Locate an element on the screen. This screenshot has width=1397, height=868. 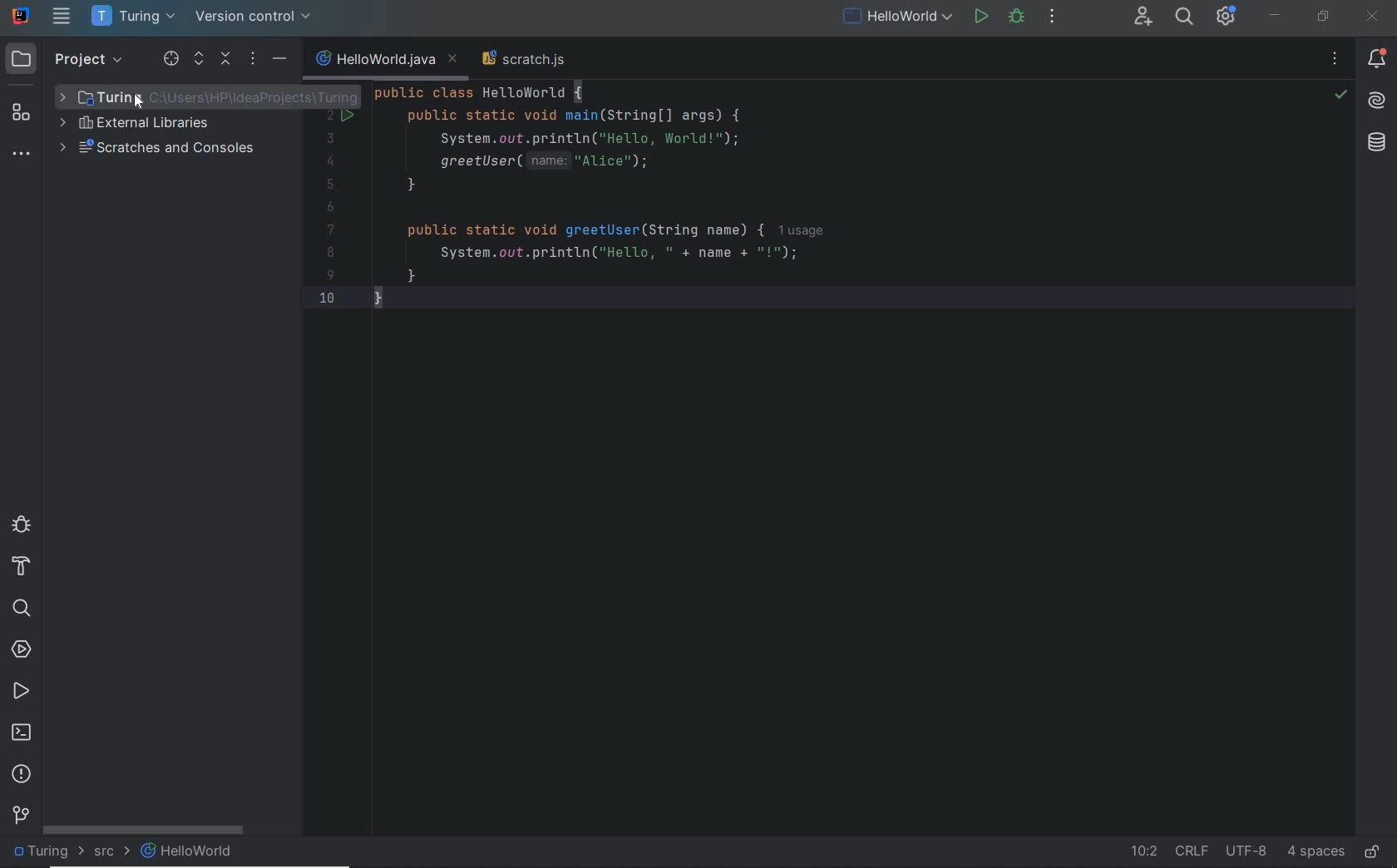
debug is located at coordinates (1017, 19).